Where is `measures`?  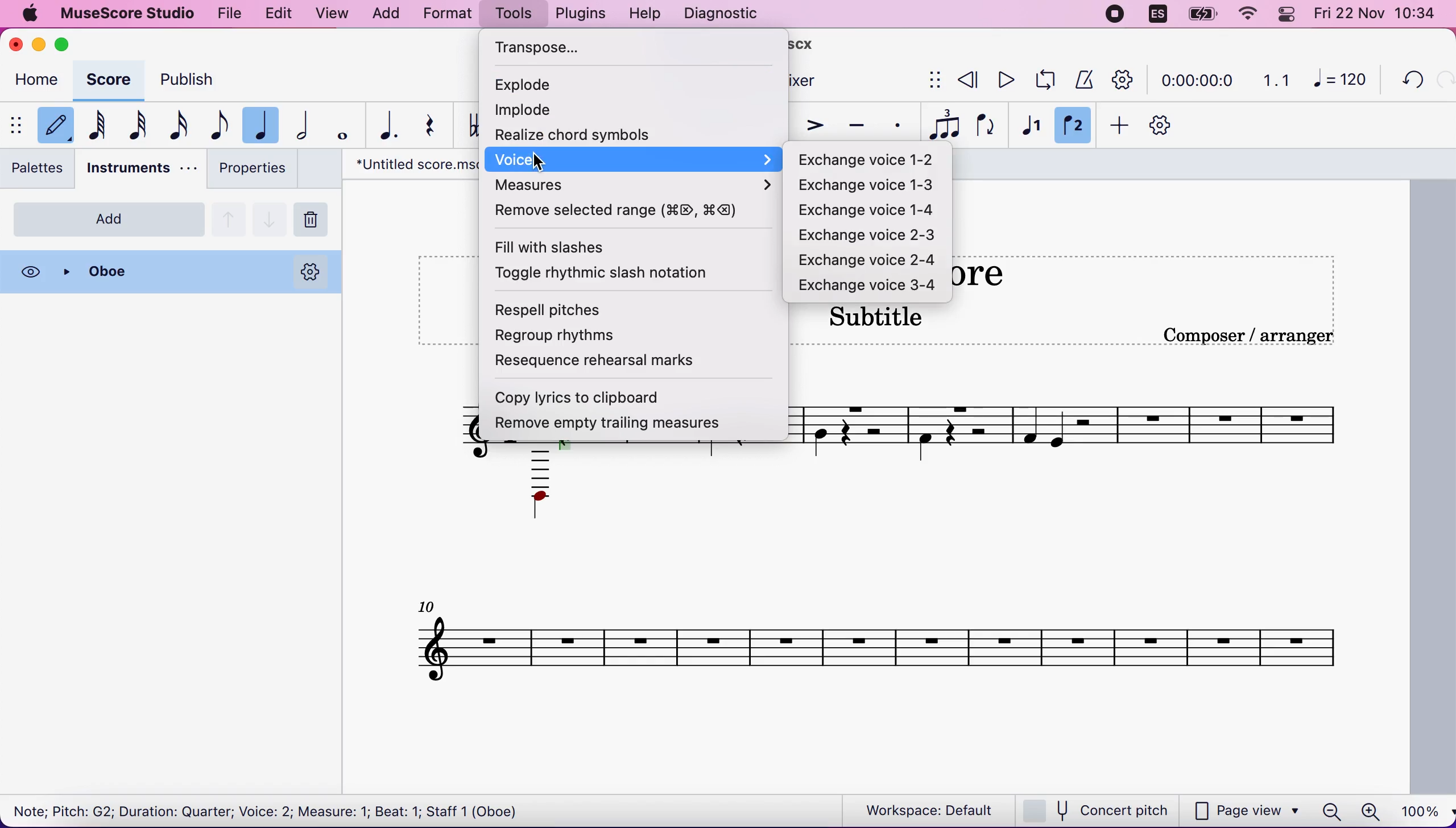 measures is located at coordinates (631, 187).